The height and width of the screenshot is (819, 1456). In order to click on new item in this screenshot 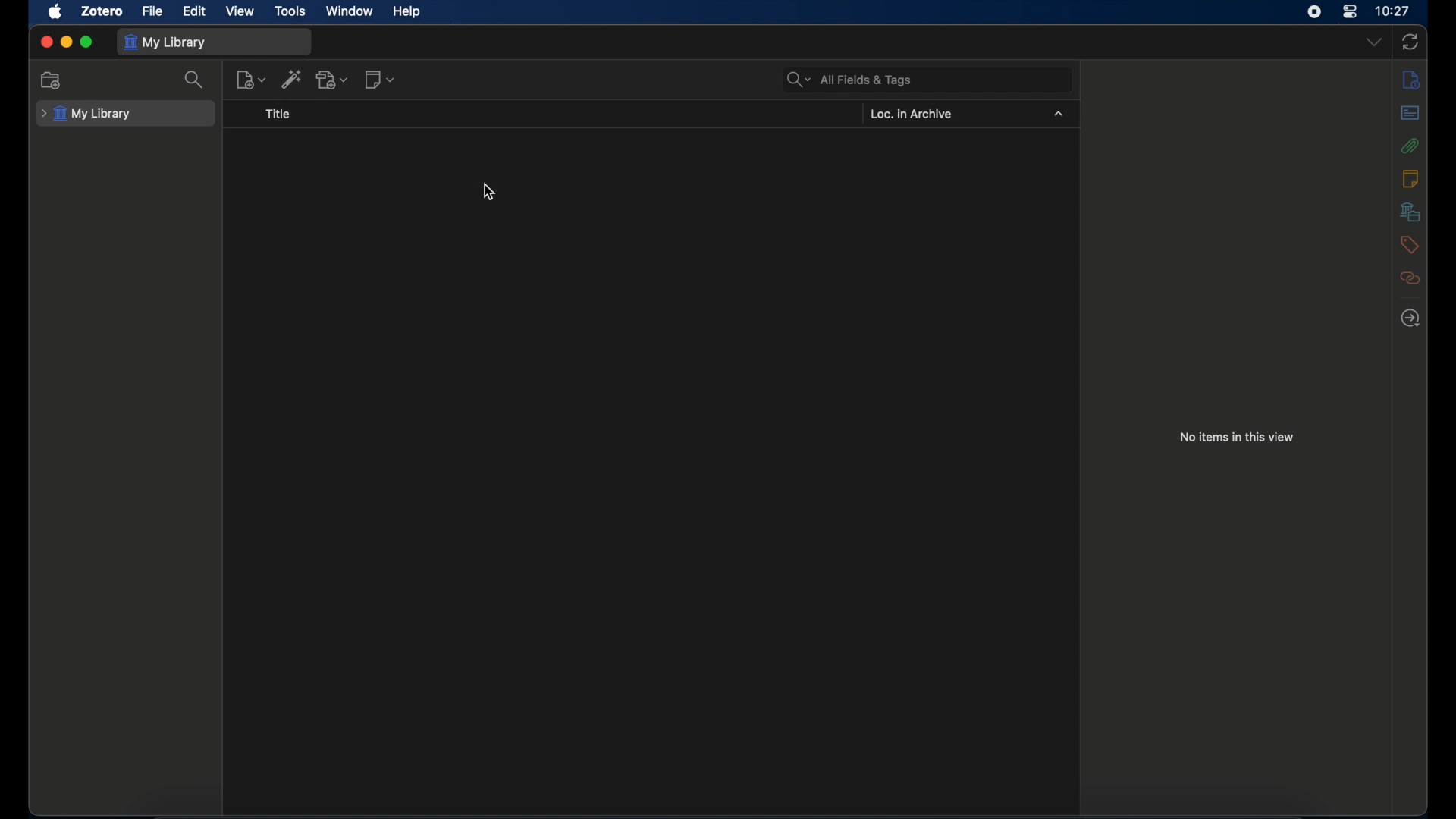, I will do `click(250, 80)`.